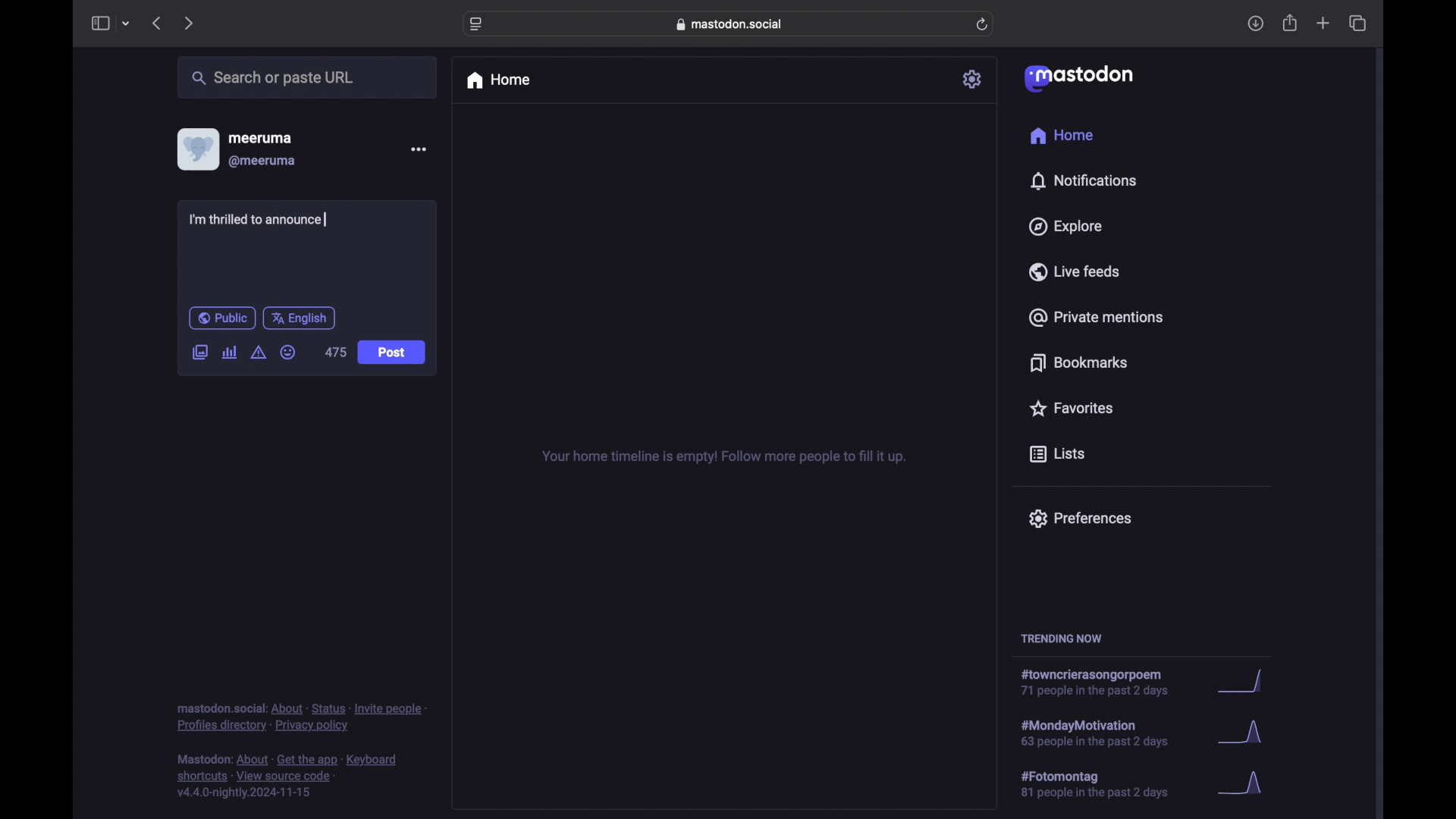 This screenshot has height=819, width=1456. What do you see at coordinates (1105, 783) in the screenshot?
I see `hashtag trend` at bounding box center [1105, 783].